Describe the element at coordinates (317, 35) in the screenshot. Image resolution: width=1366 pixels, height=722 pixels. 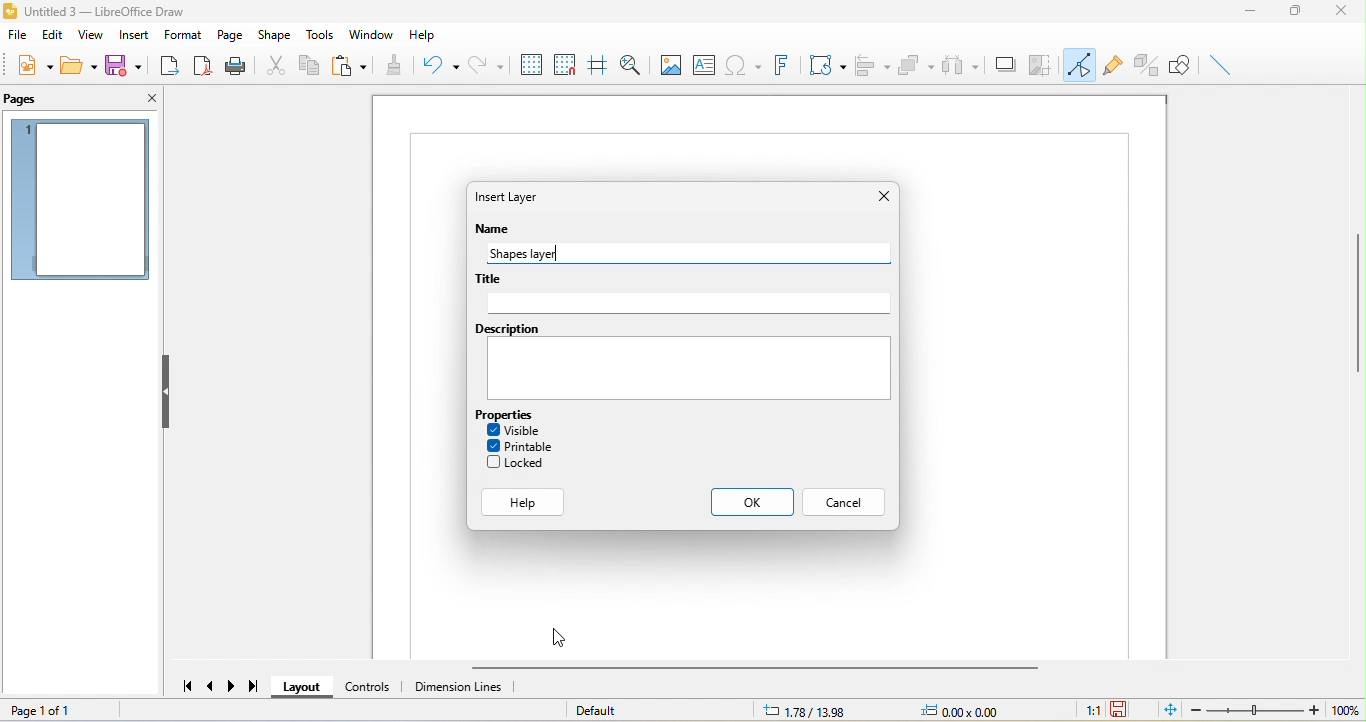
I see `tools` at that location.